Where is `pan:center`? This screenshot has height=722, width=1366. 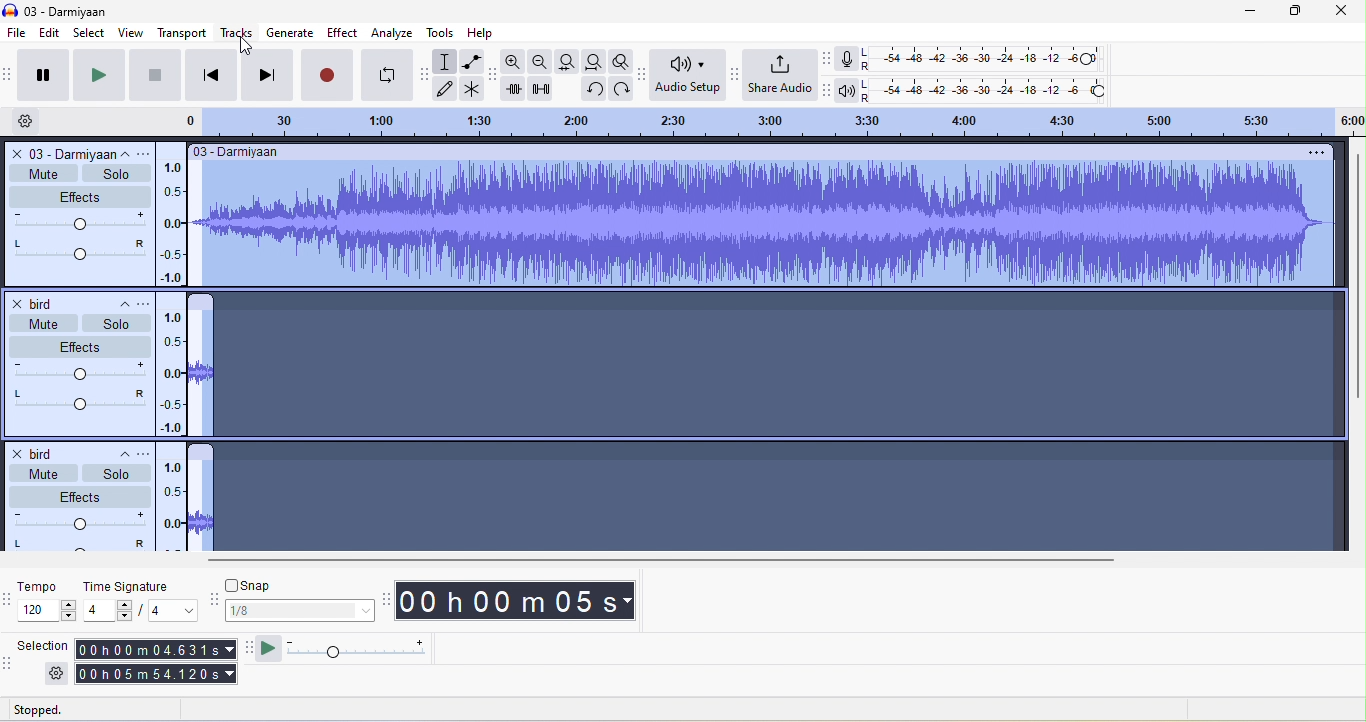 pan:center is located at coordinates (82, 398).